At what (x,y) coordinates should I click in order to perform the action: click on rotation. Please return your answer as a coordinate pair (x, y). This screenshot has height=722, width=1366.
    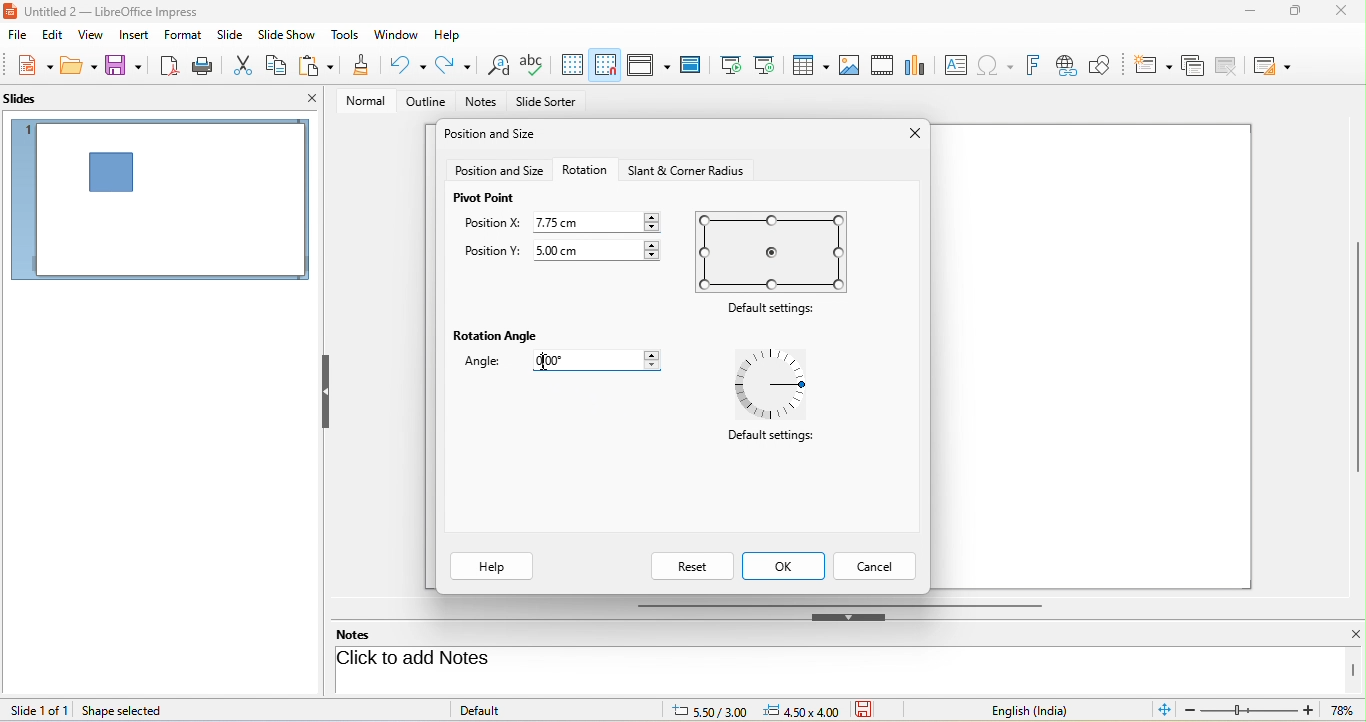
    Looking at the image, I should click on (585, 169).